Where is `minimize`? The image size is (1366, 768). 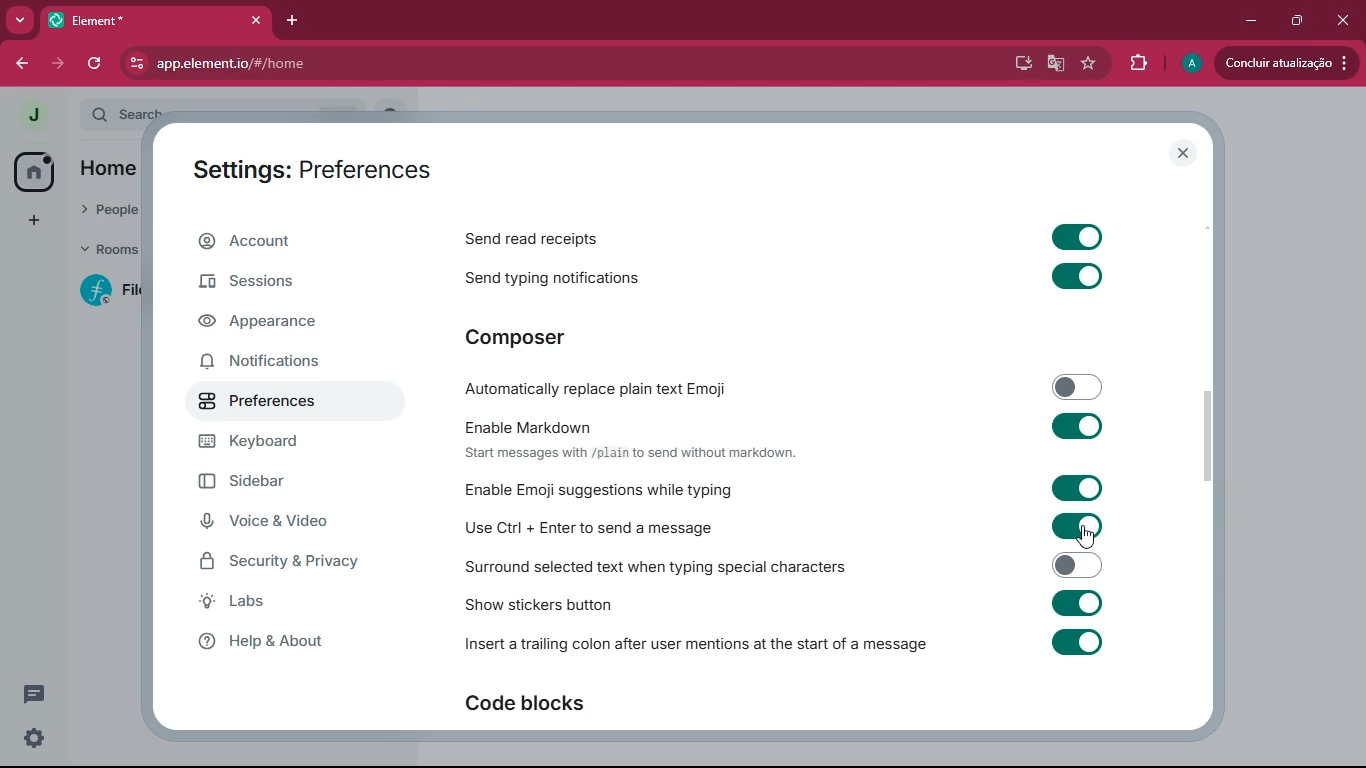 minimize is located at coordinates (1247, 21).